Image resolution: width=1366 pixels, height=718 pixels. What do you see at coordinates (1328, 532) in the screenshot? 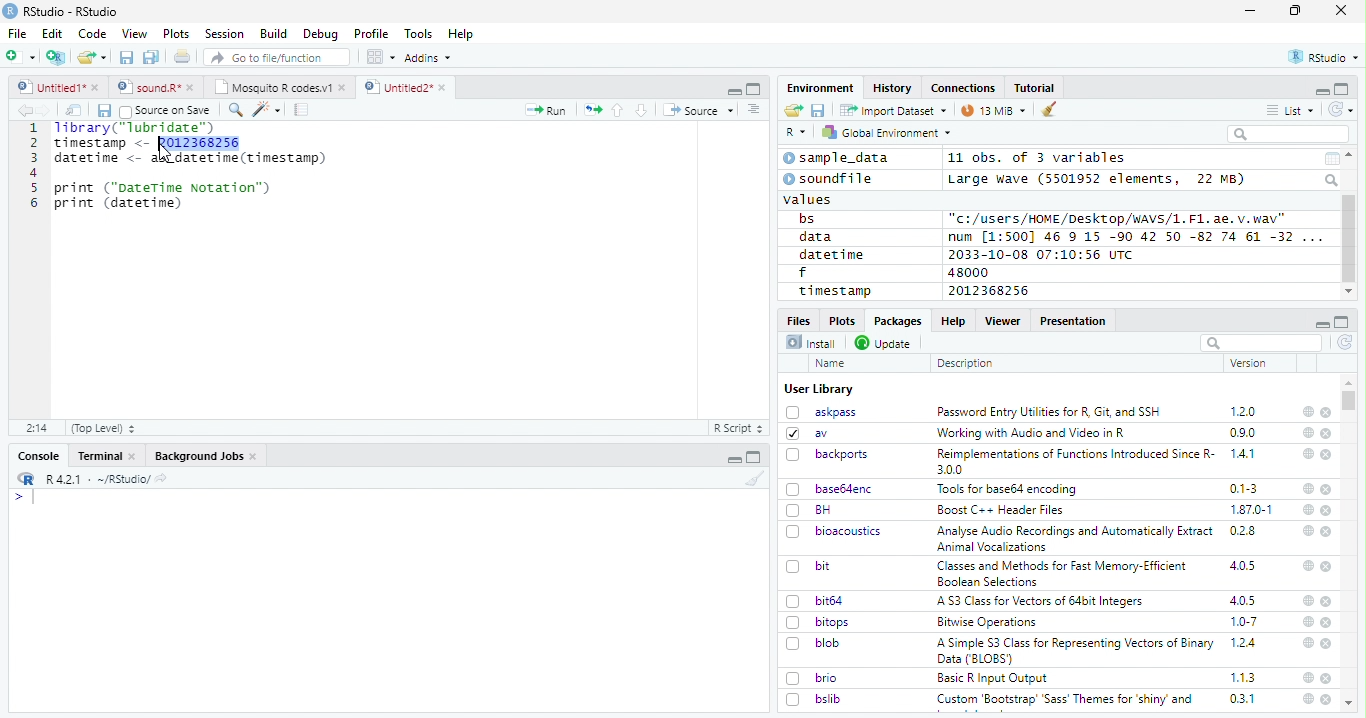
I see `close` at bounding box center [1328, 532].